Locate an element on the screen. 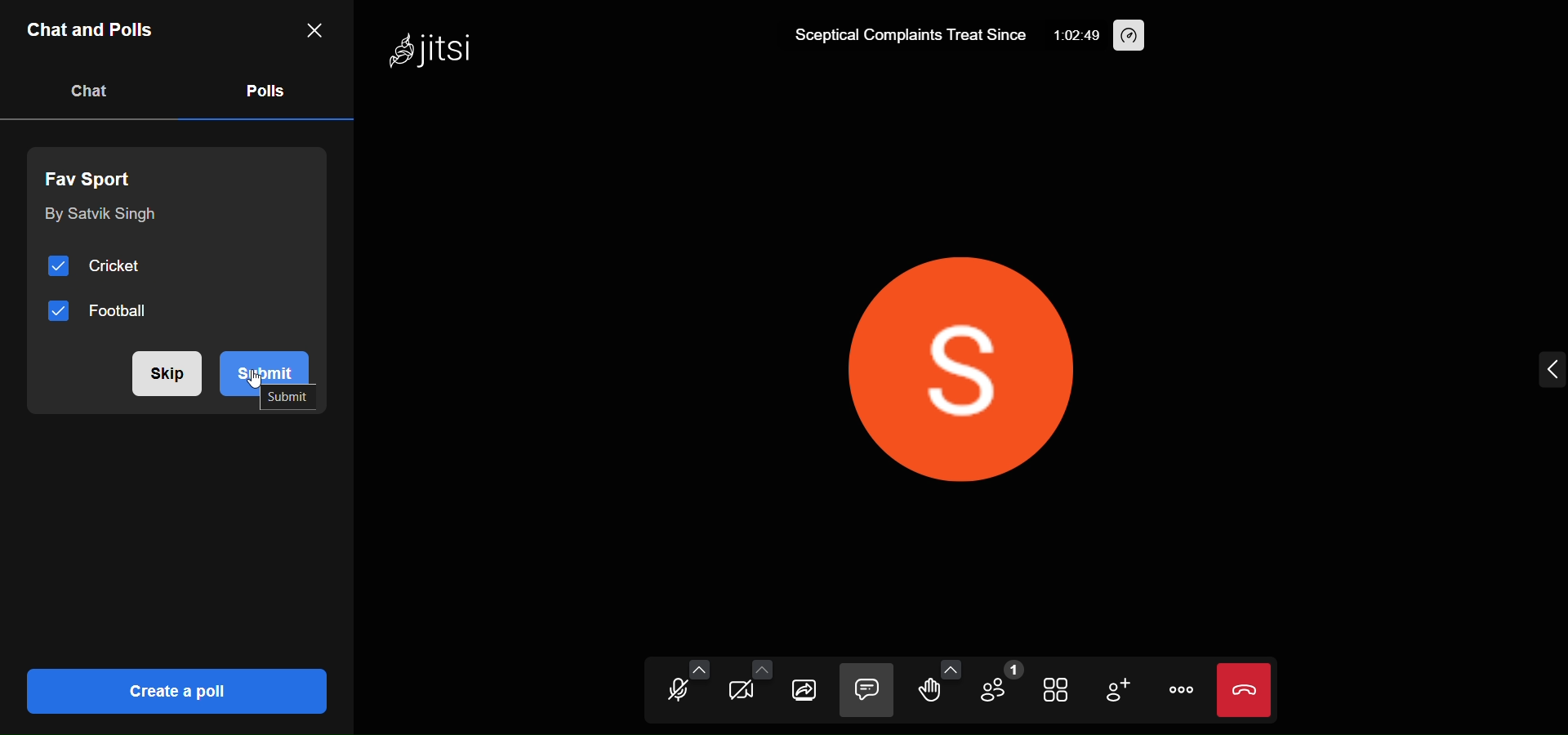  Cricket is located at coordinates (102, 267).